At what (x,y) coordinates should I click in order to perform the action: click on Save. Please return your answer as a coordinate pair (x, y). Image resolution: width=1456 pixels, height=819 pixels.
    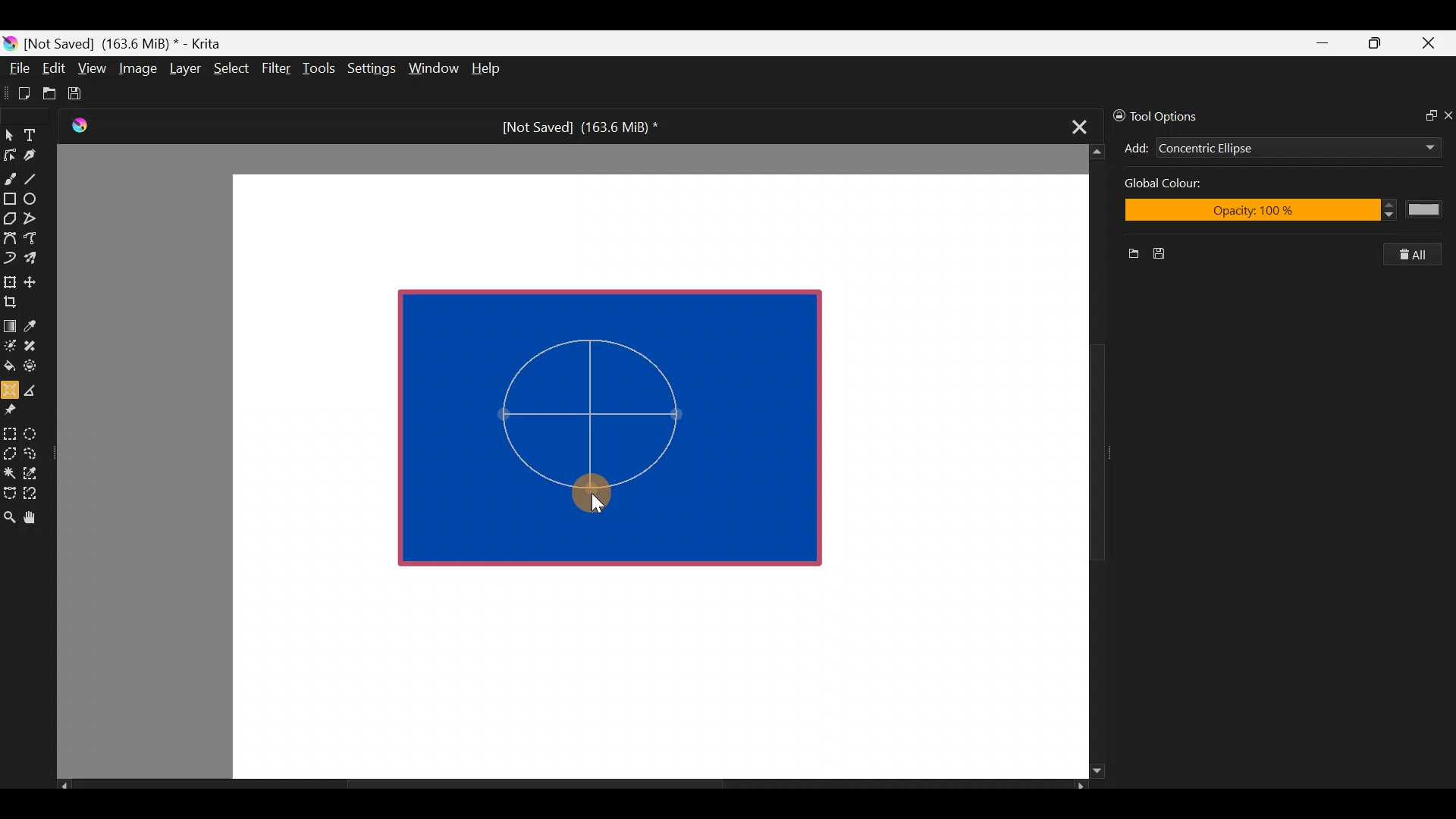
    Looking at the image, I should click on (1165, 254).